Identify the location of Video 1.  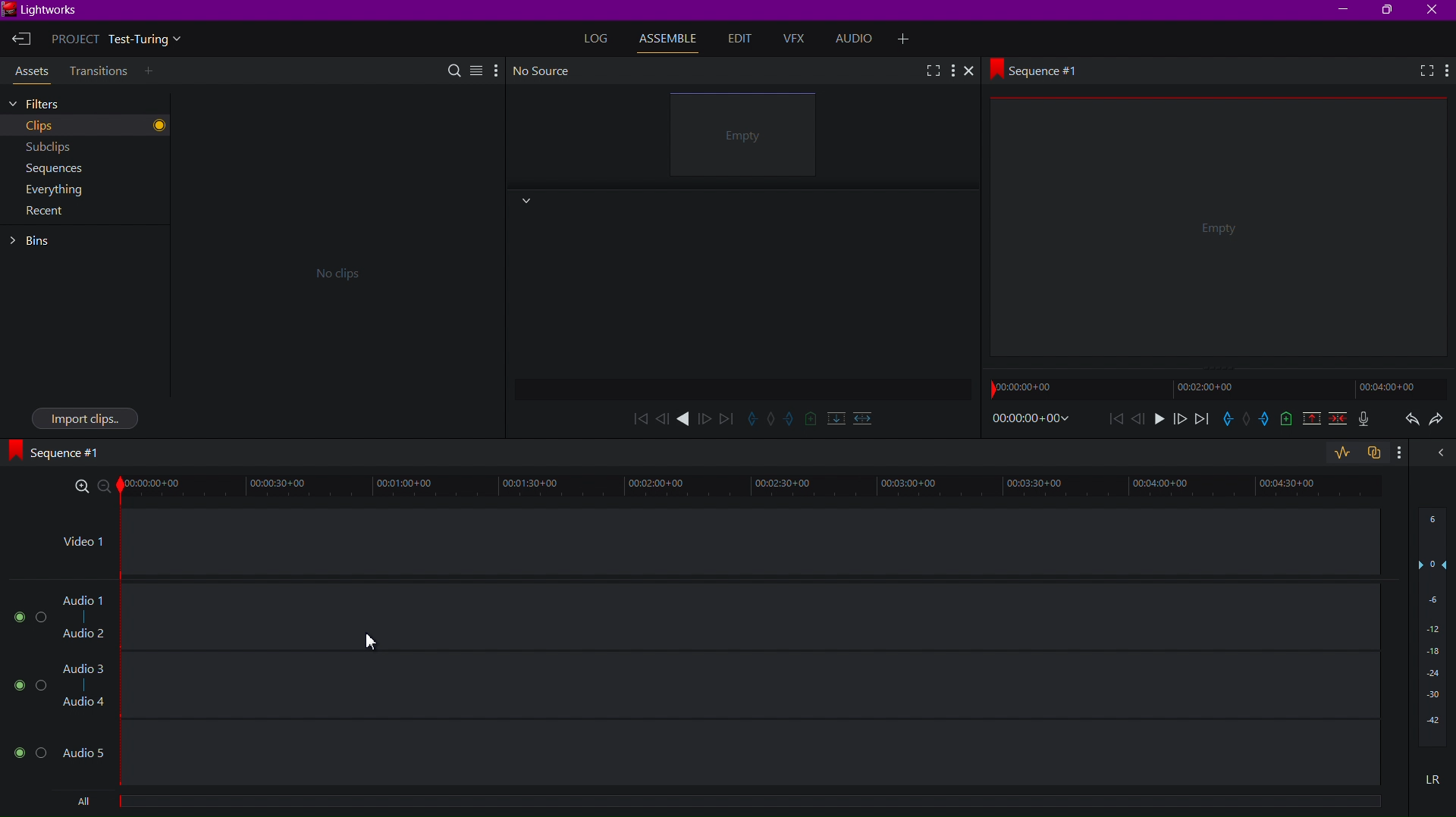
(78, 543).